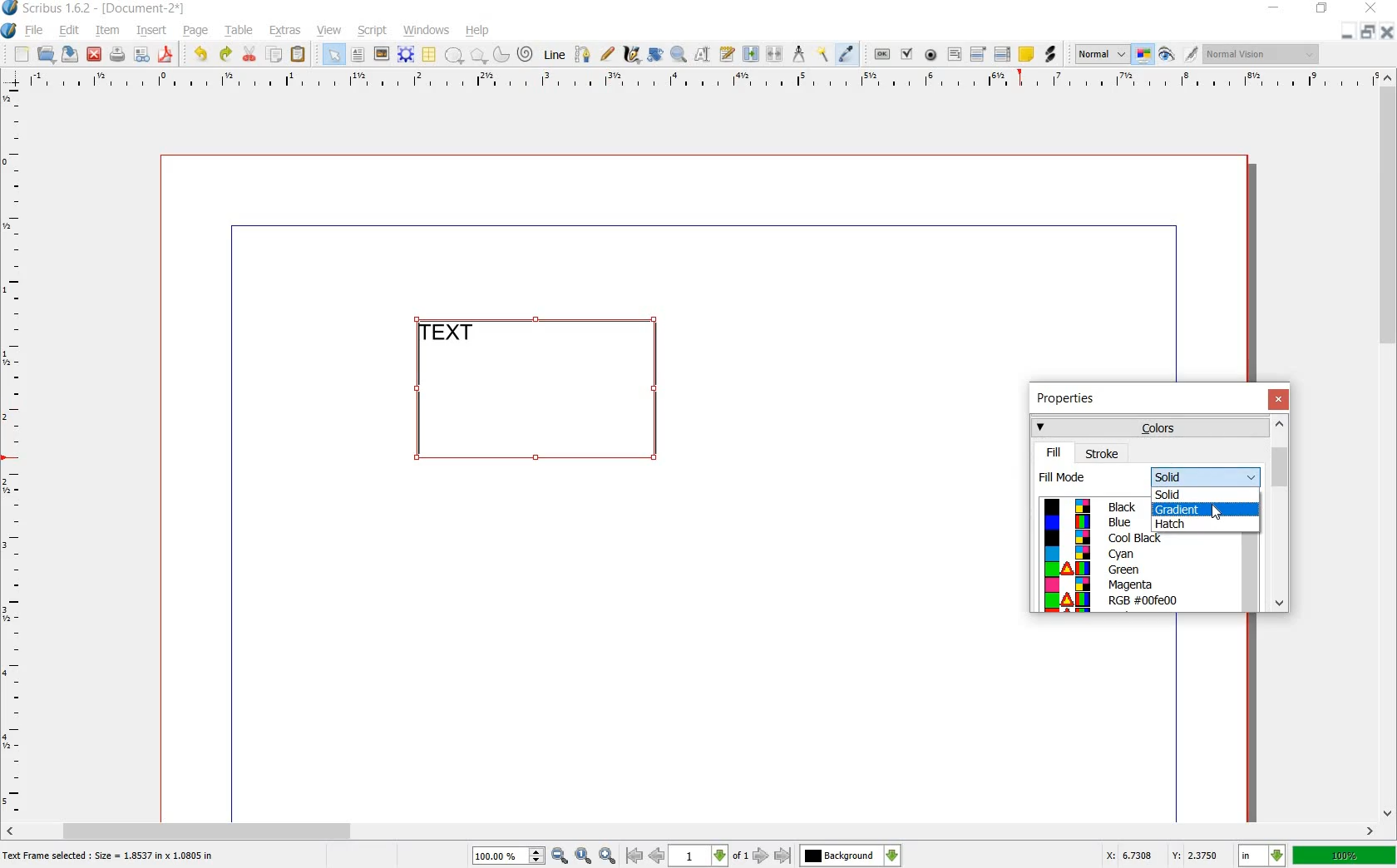  What do you see at coordinates (1146, 600) in the screenshot?
I see `RGB #00fe00` at bounding box center [1146, 600].